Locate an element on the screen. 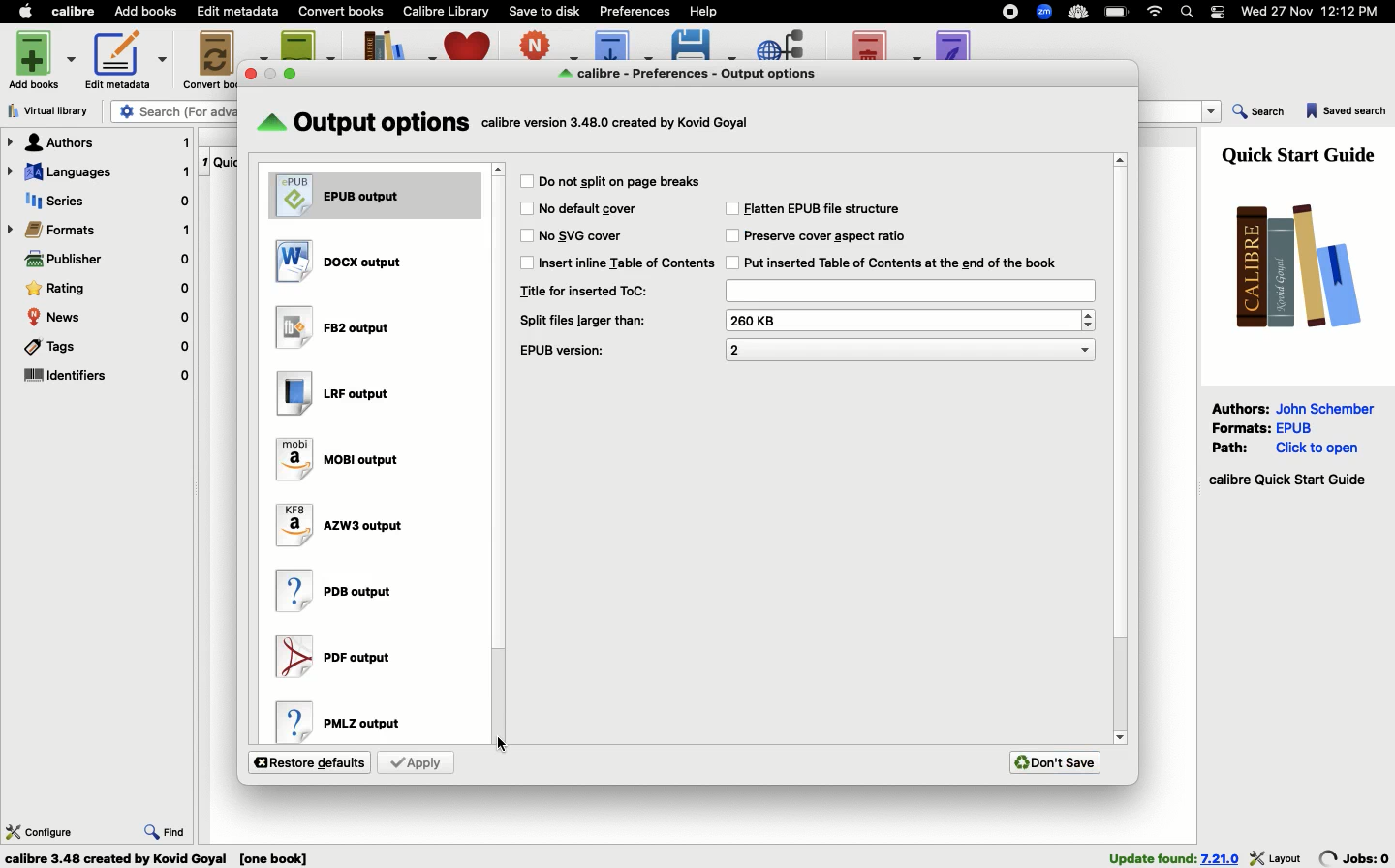 Image resolution: width=1395 pixels, height=868 pixels. EPUB version  is located at coordinates (564, 351).